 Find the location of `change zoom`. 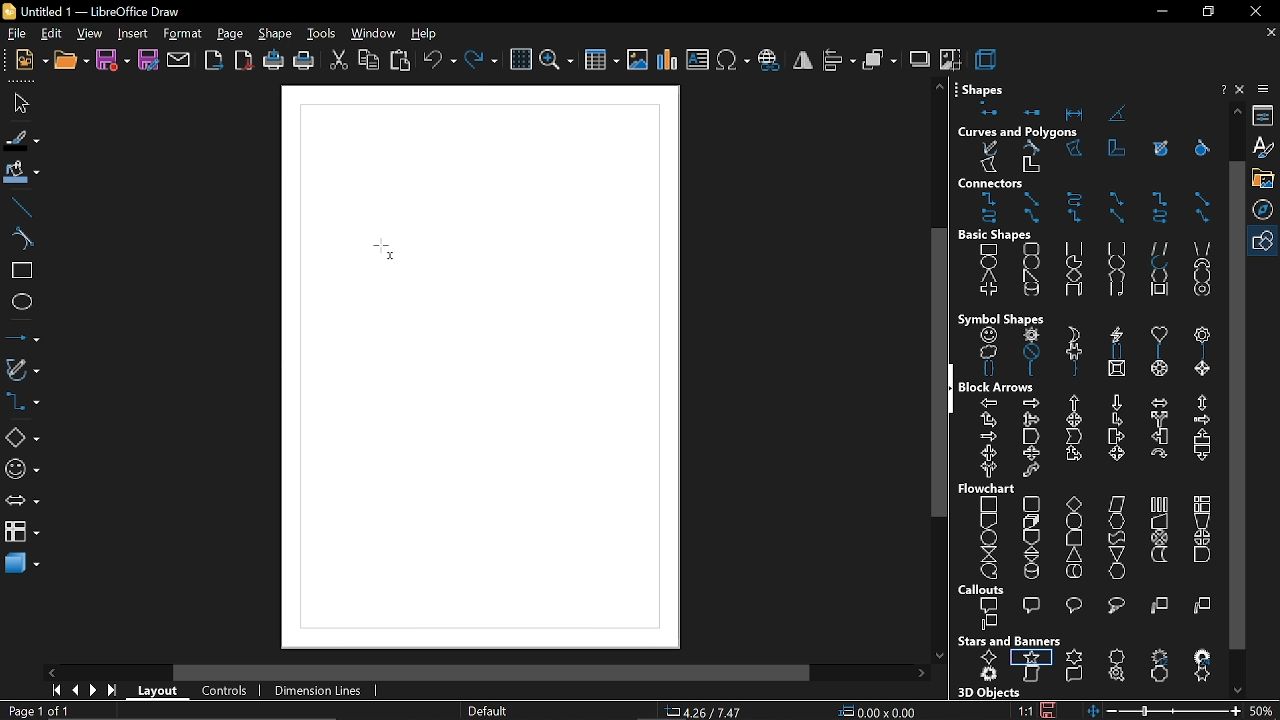

change zoom is located at coordinates (1164, 712).